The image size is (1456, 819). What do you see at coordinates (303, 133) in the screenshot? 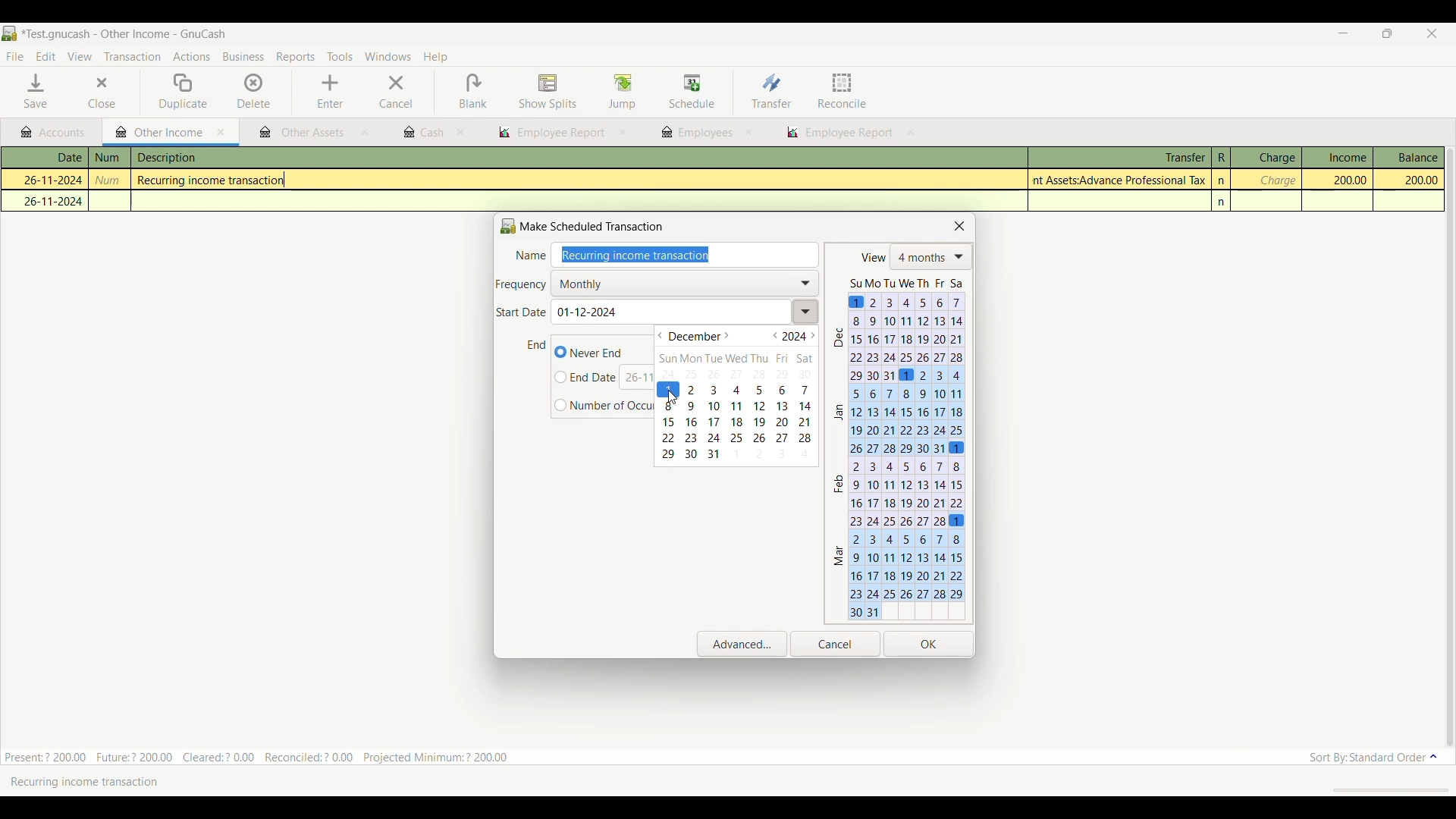
I see `other assets` at bounding box center [303, 133].